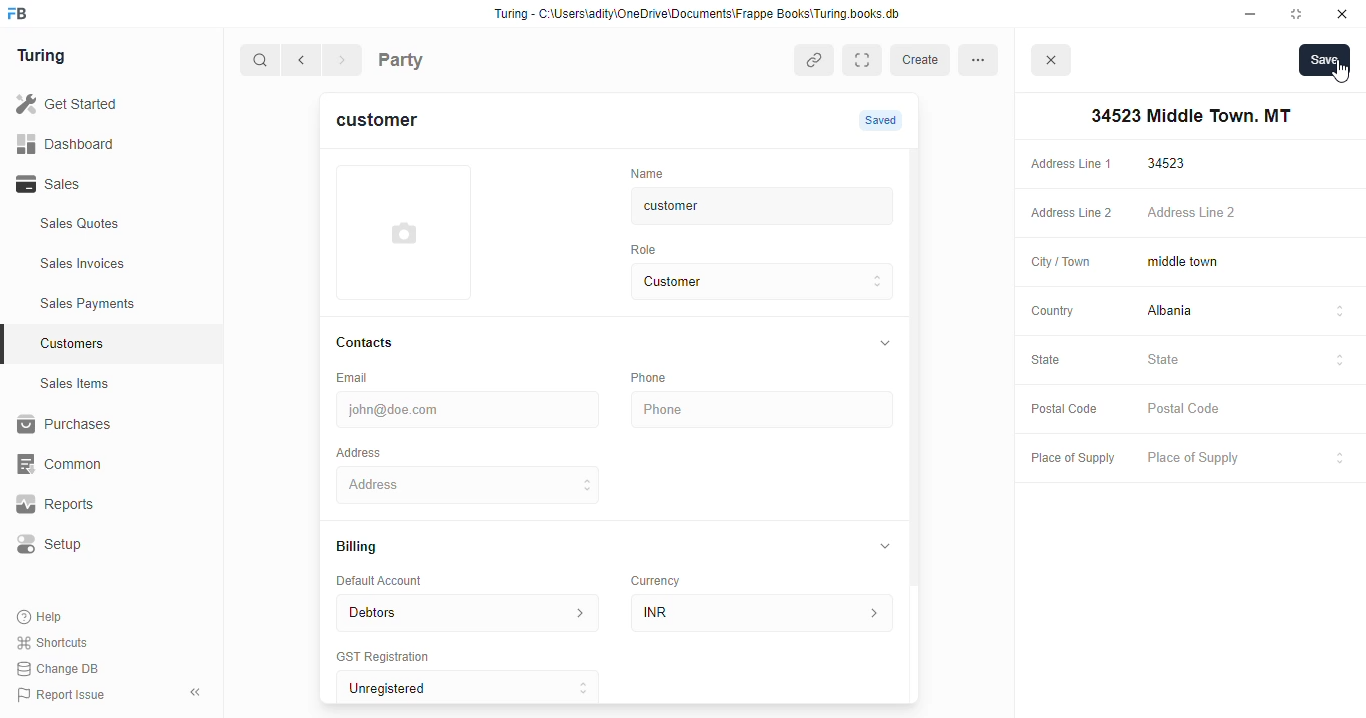  I want to click on Postal Code, so click(1061, 408).